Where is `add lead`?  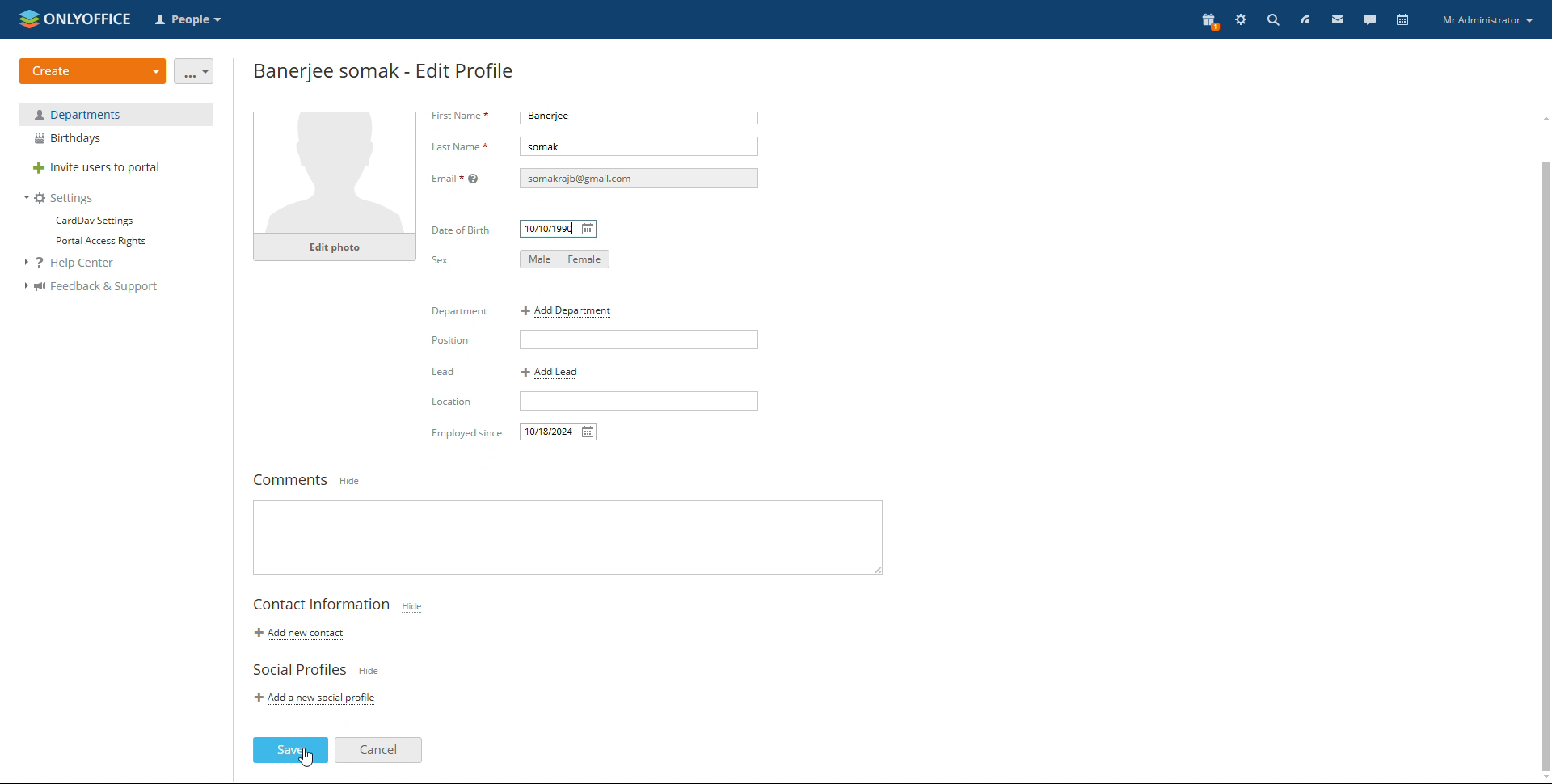 add lead is located at coordinates (550, 373).